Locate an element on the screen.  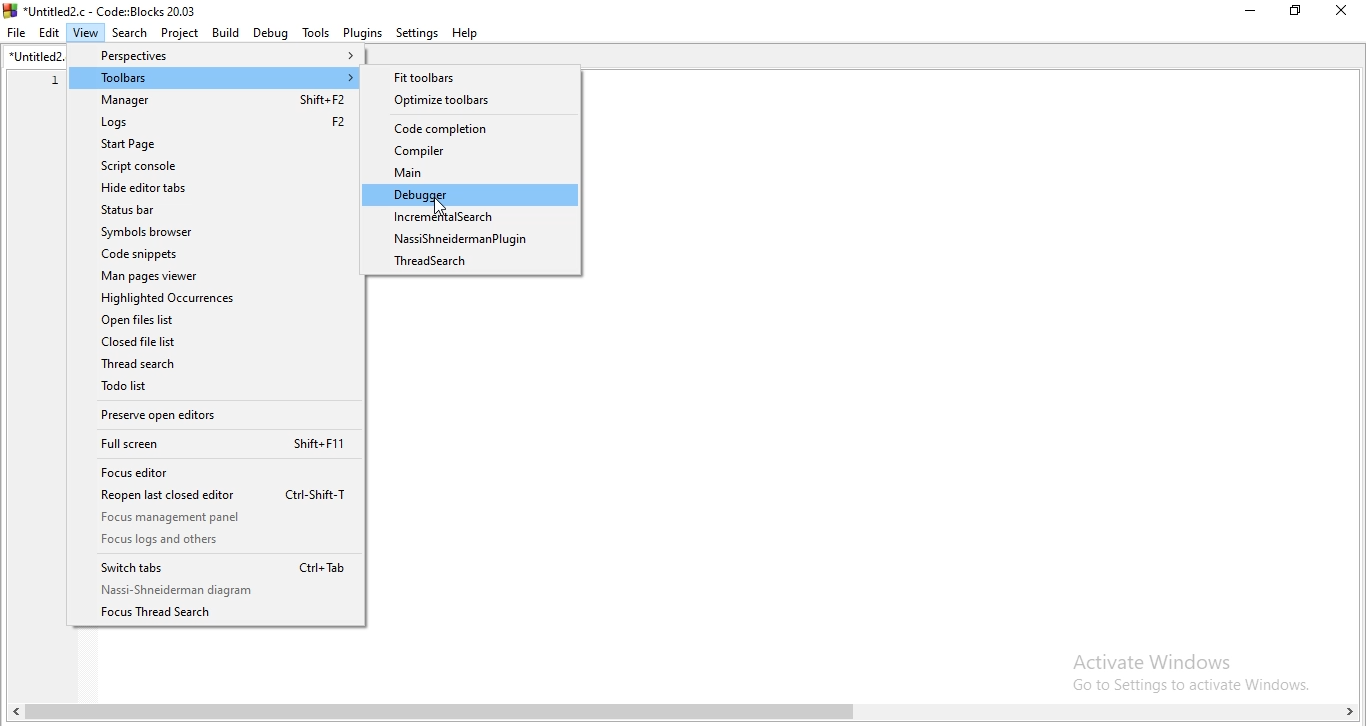
Focus editor is located at coordinates (219, 474).